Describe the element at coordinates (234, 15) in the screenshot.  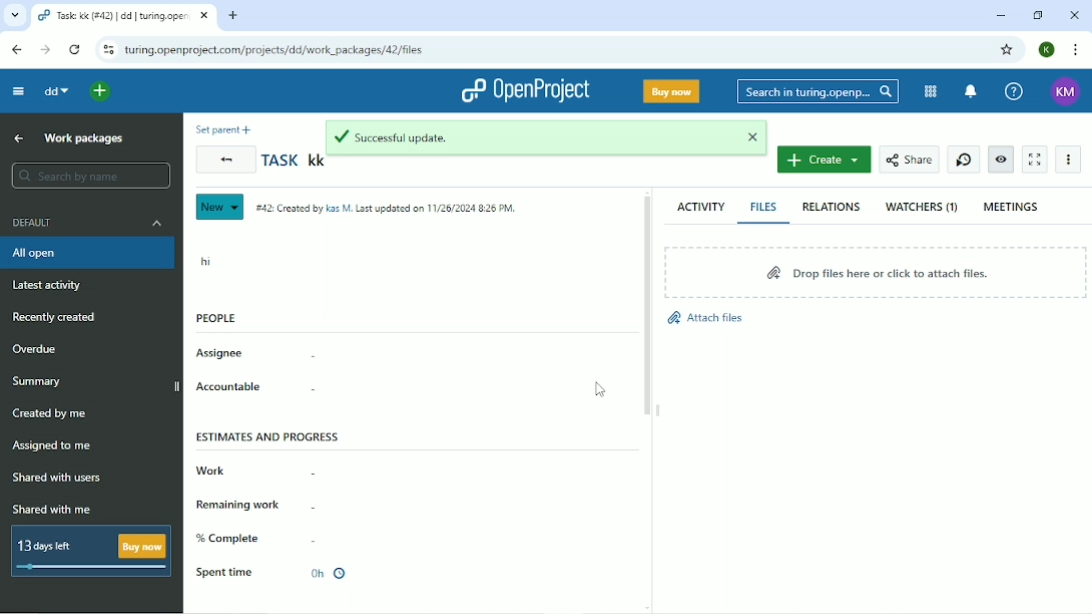
I see `New tab` at that location.